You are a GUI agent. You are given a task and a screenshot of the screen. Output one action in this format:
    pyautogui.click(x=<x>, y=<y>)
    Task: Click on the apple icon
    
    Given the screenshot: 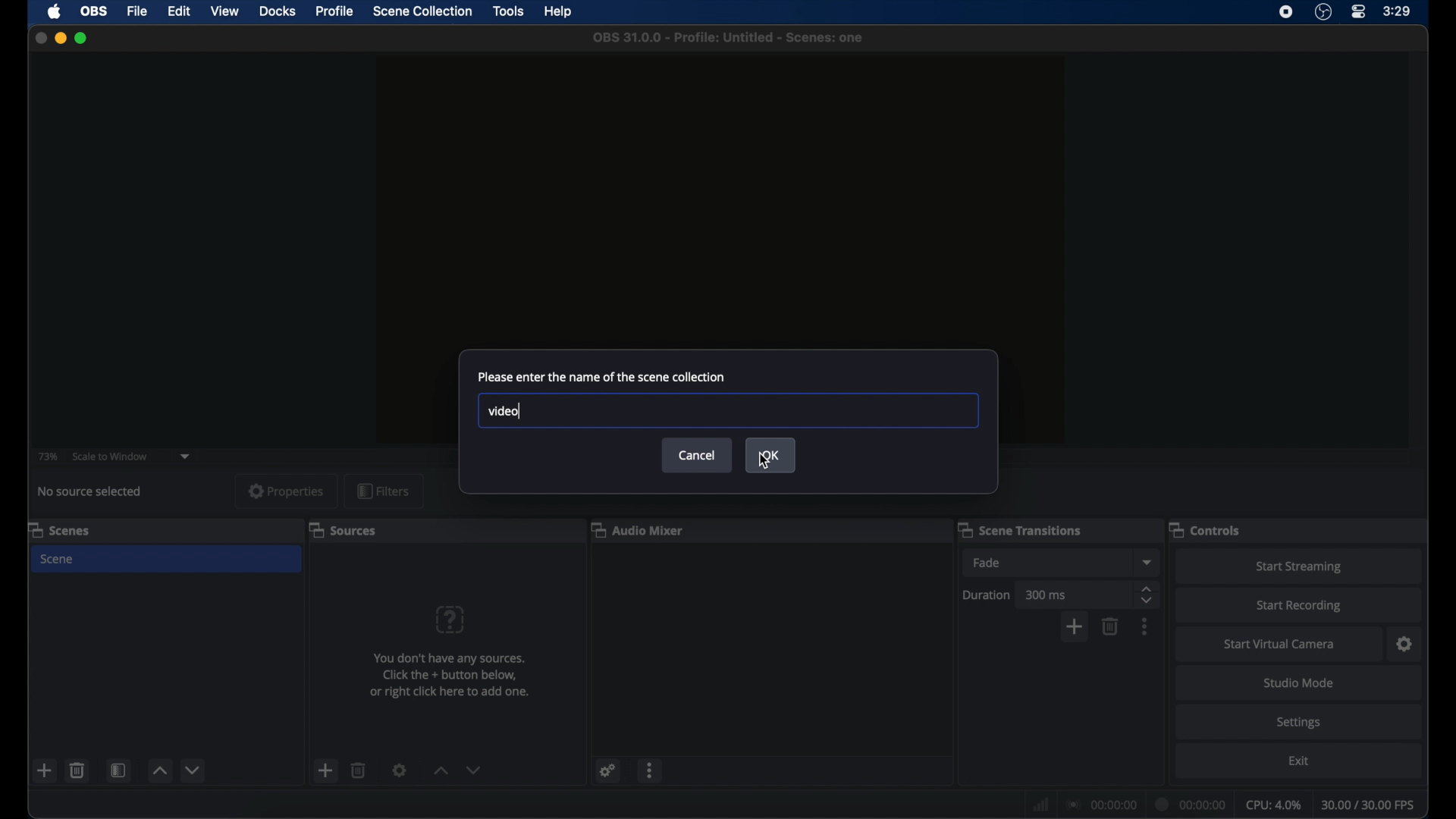 What is the action you would take?
    pyautogui.click(x=55, y=12)
    